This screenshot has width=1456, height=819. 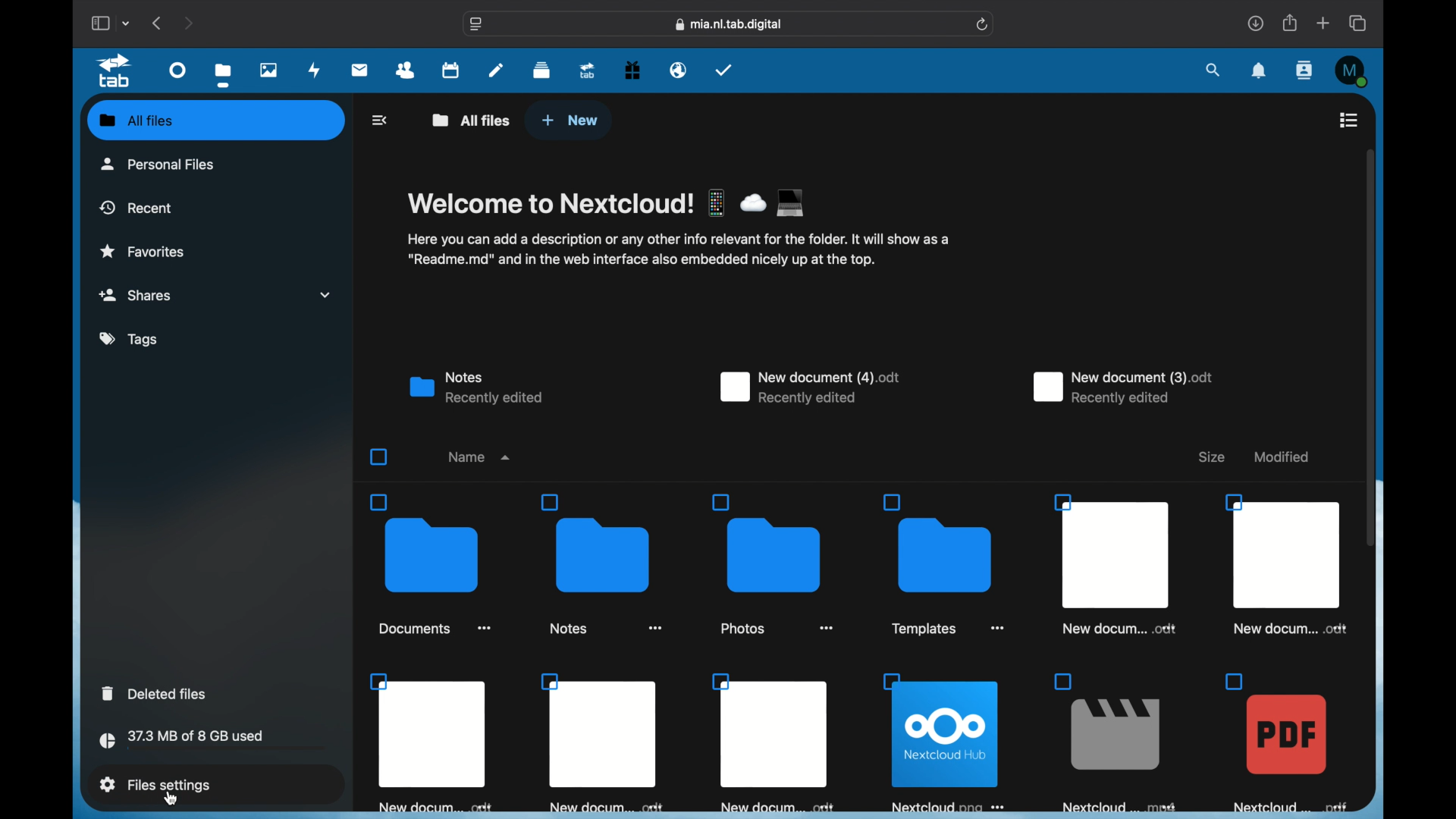 What do you see at coordinates (190, 23) in the screenshot?
I see `next` at bounding box center [190, 23].